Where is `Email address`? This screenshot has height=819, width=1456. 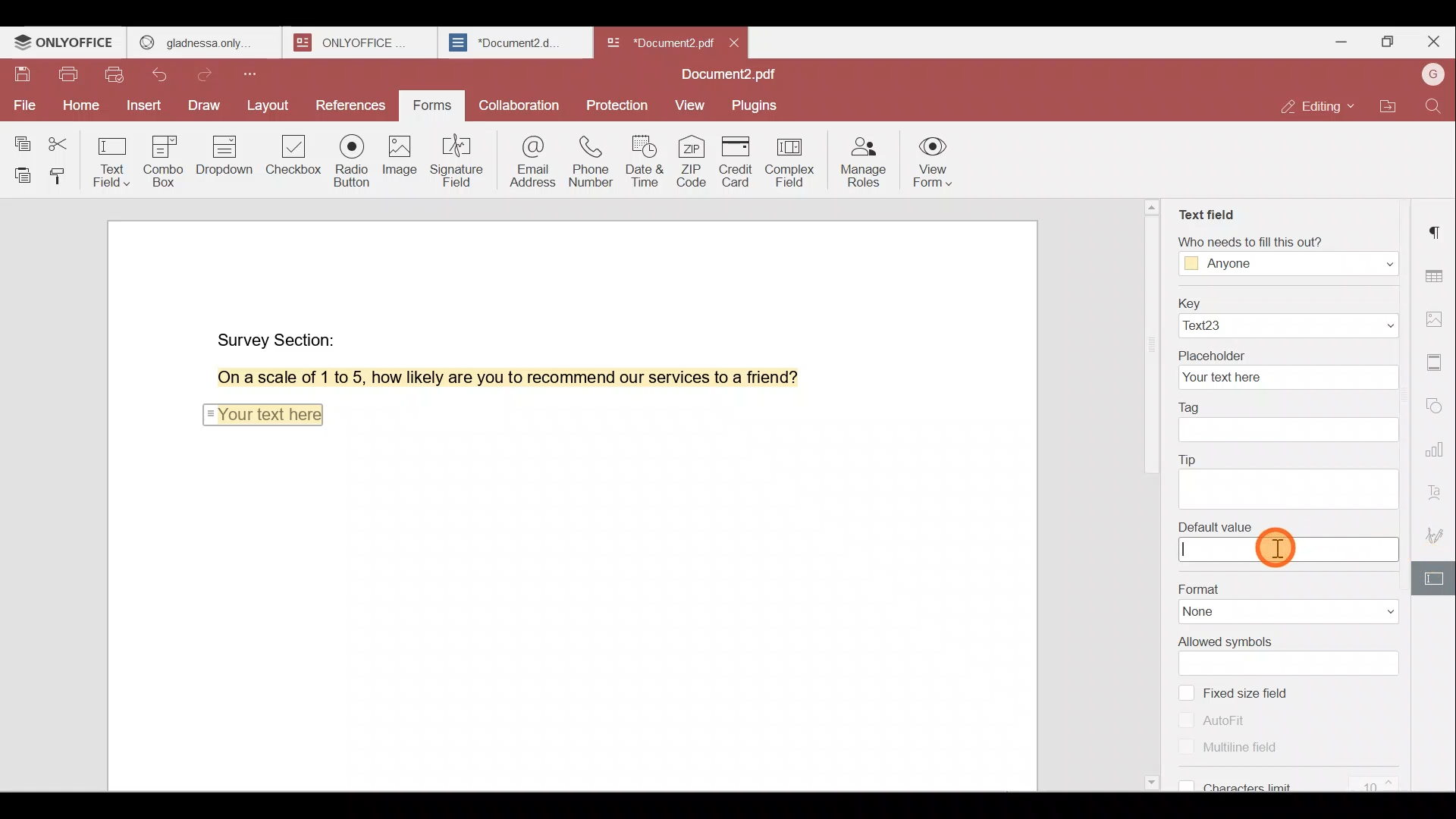 Email address is located at coordinates (526, 158).